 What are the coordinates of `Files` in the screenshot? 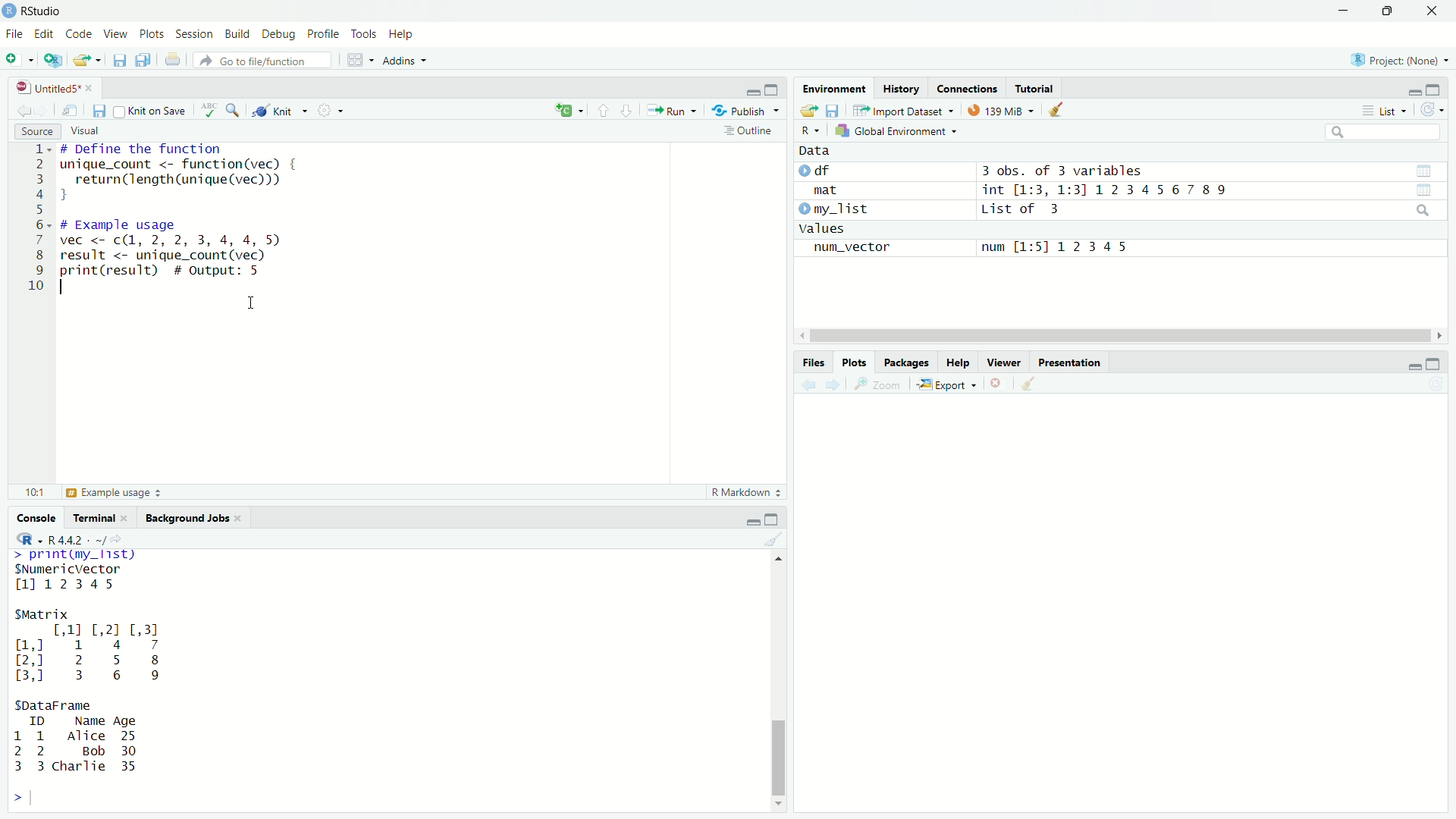 It's located at (813, 363).